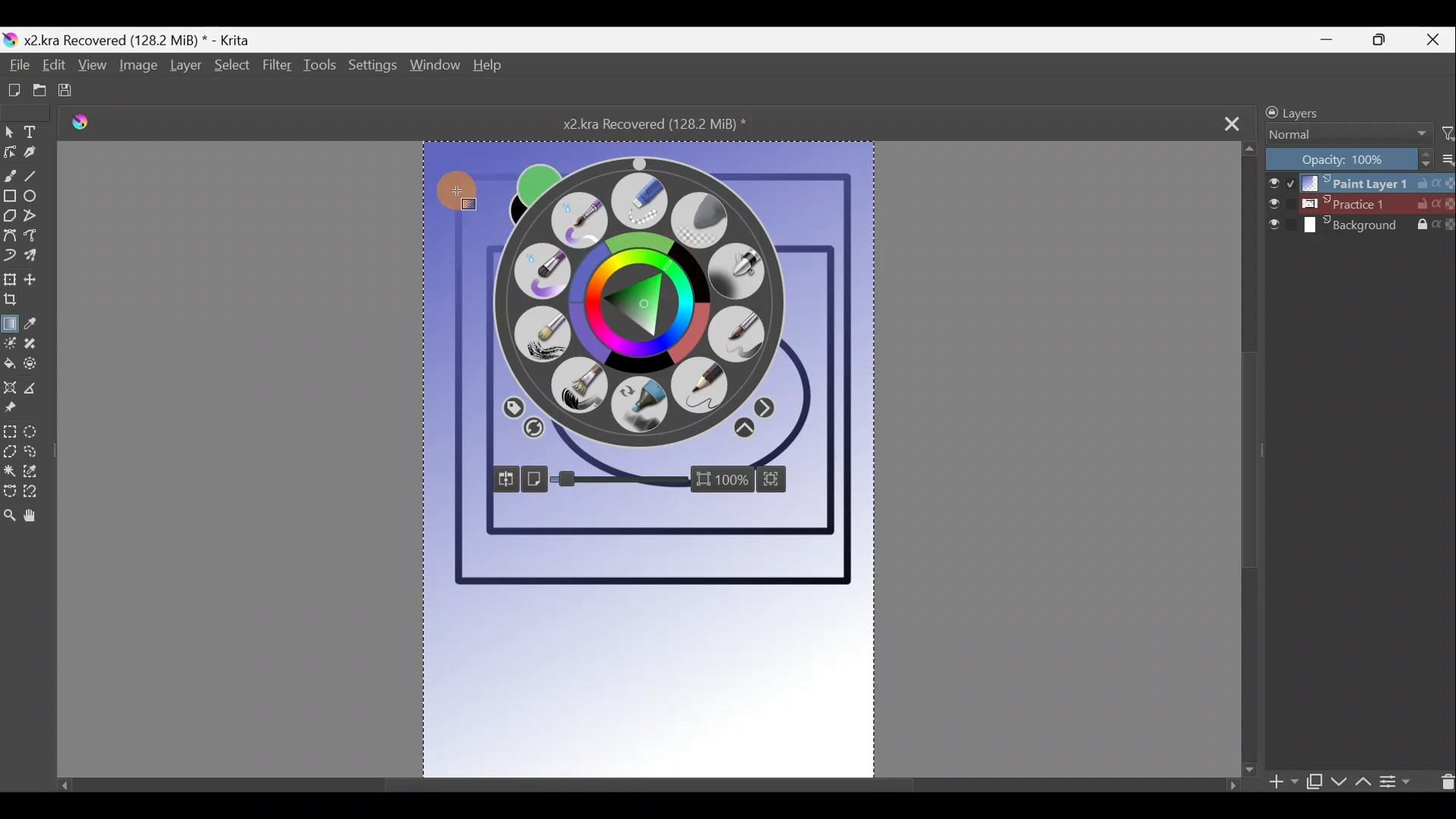  What do you see at coordinates (533, 432) in the screenshot?
I see `Clear colour history` at bounding box center [533, 432].